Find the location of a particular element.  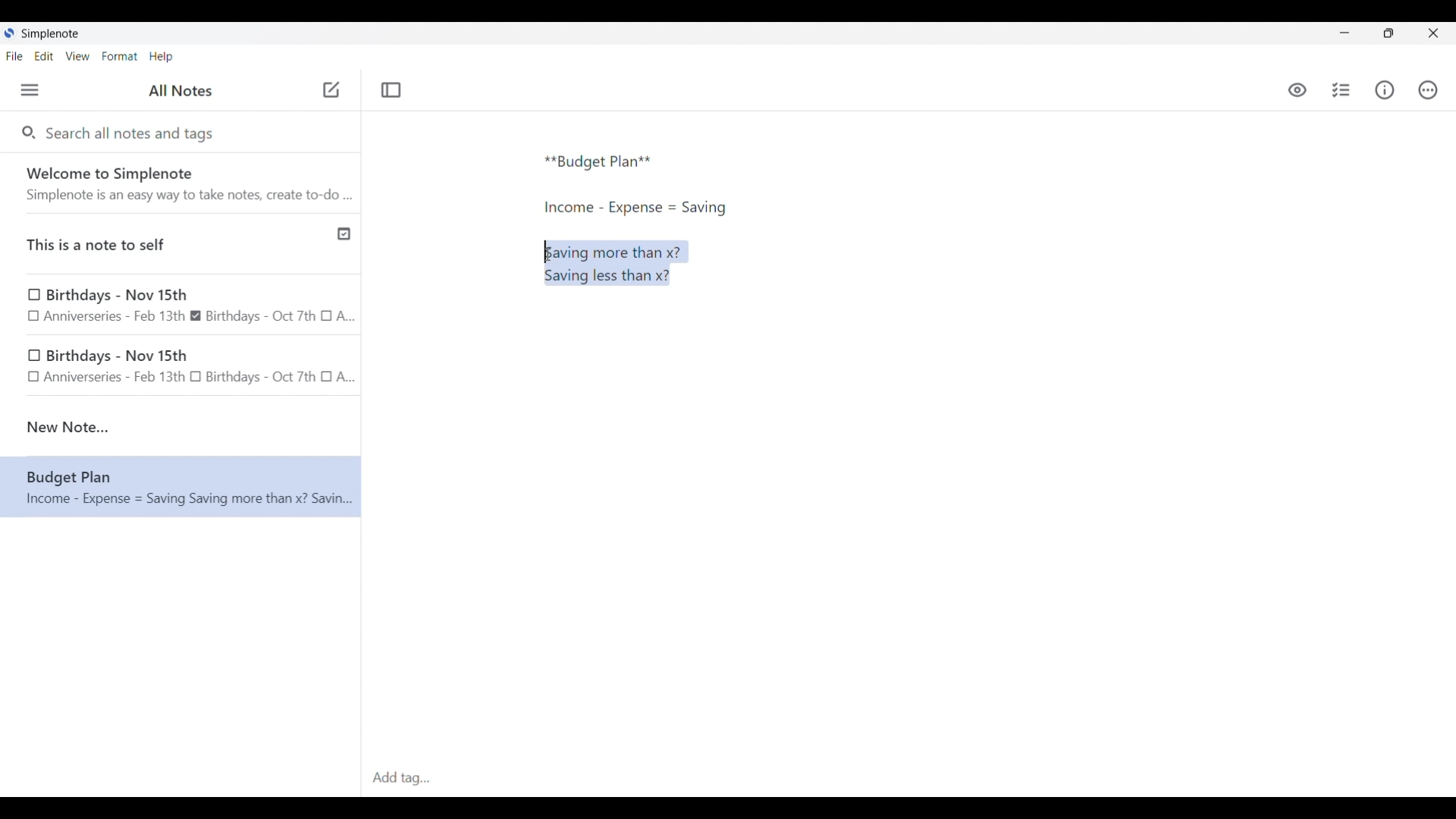

Menu is located at coordinates (30, 89).